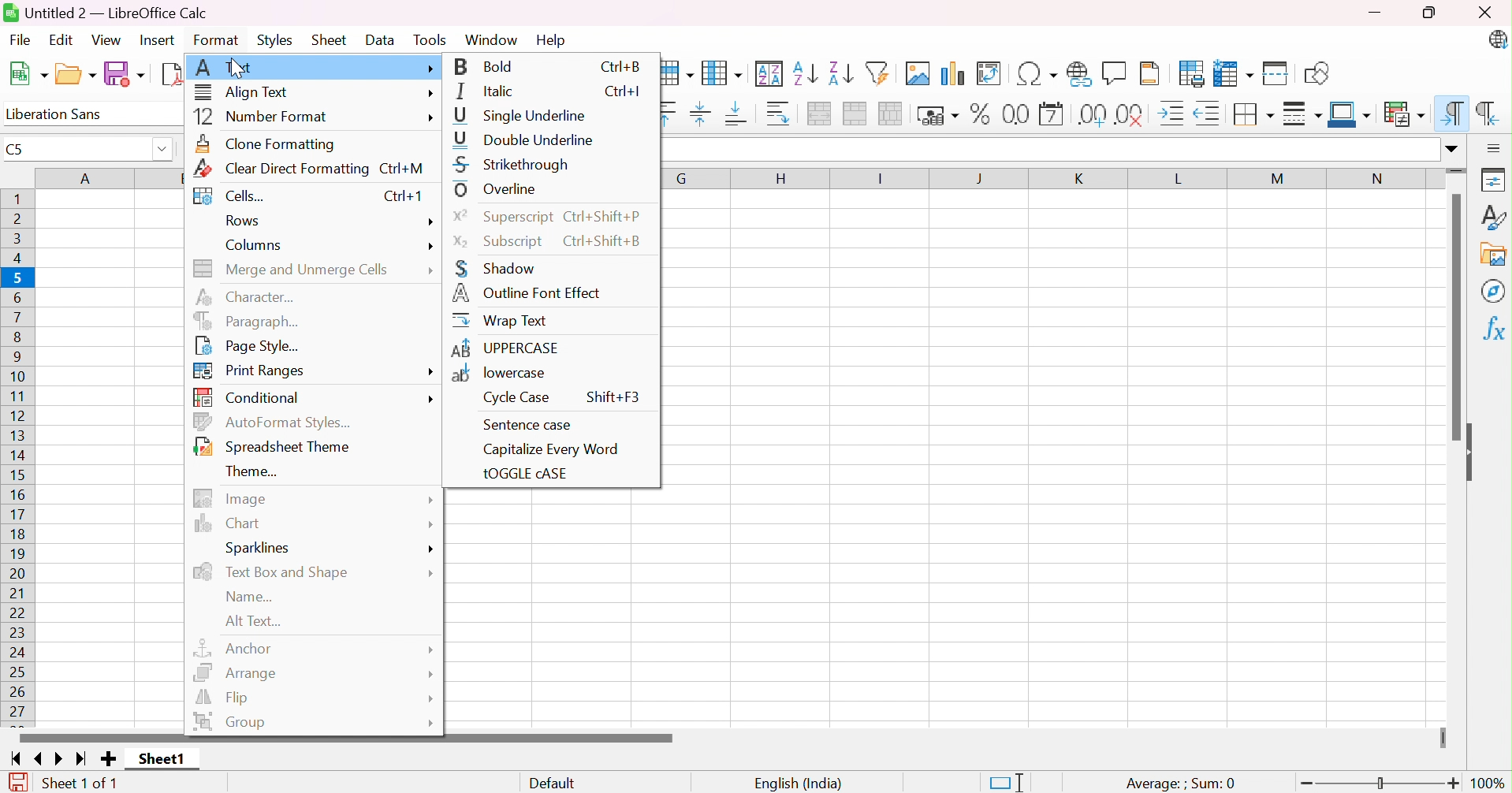 Image resolution: width=1512 pixels, height=793 pixels. Describe the element at coordinates (406, 166) in the screenshot. I see `Ctrl+M` at that location.